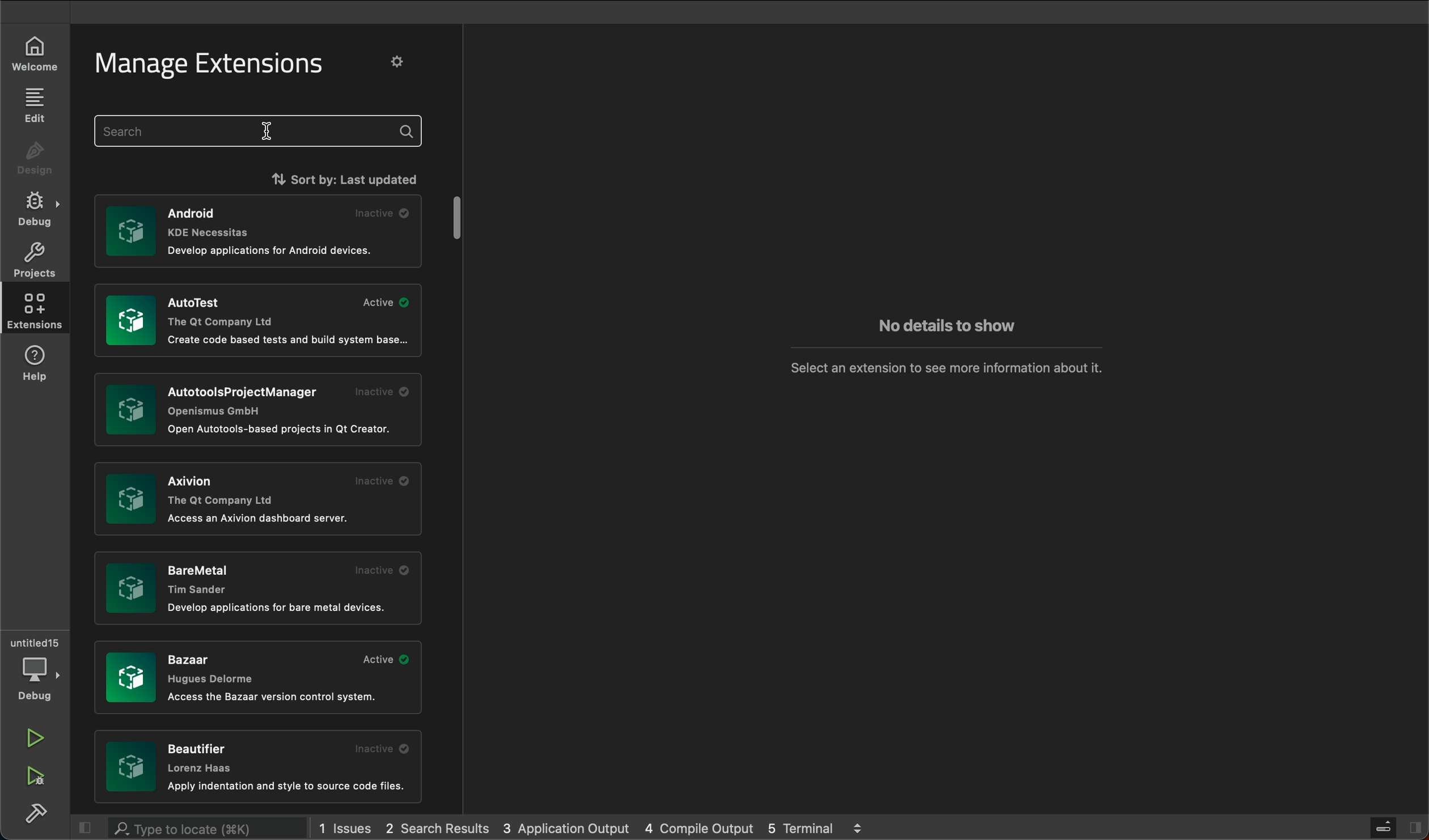 Image resolution: width=1429 pixels, height=840 pixels. I want to click on help, so click(40, 364).